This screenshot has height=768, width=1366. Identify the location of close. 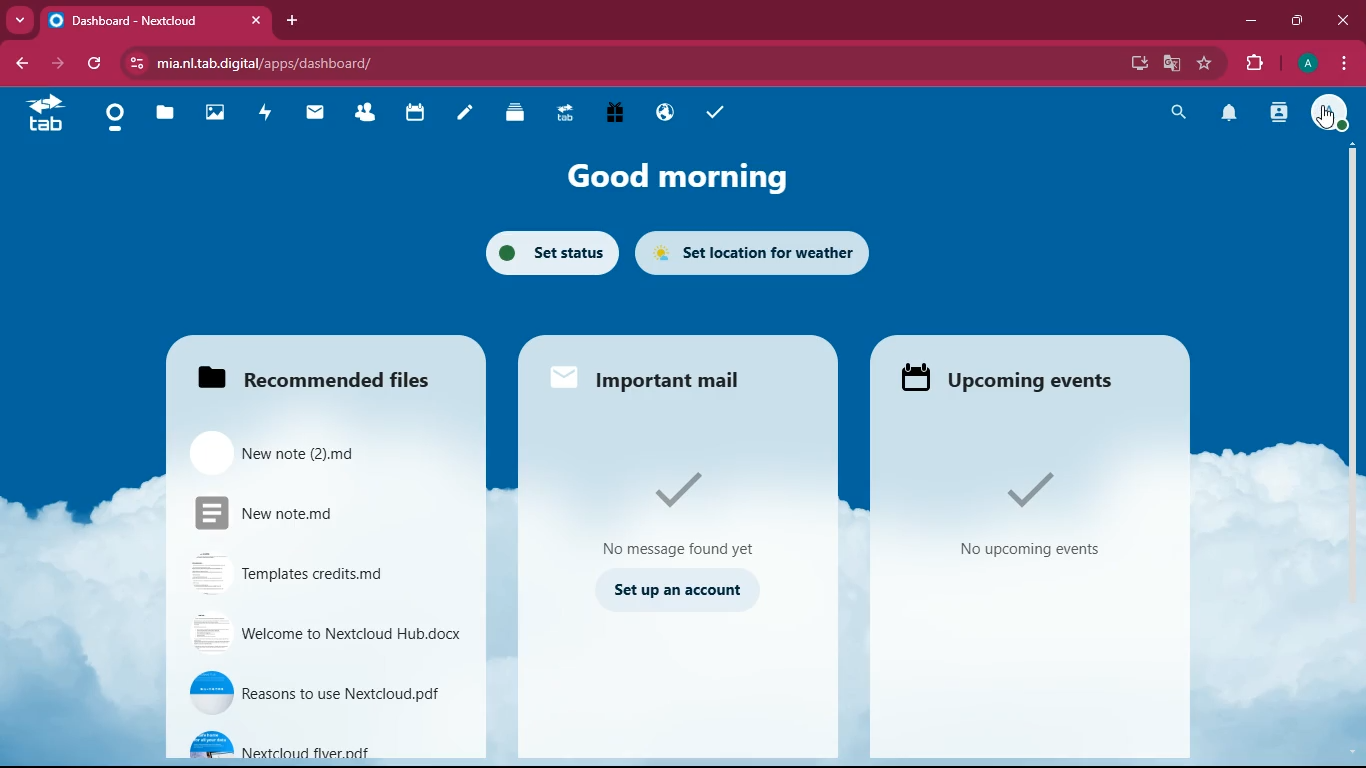
(254, 21).